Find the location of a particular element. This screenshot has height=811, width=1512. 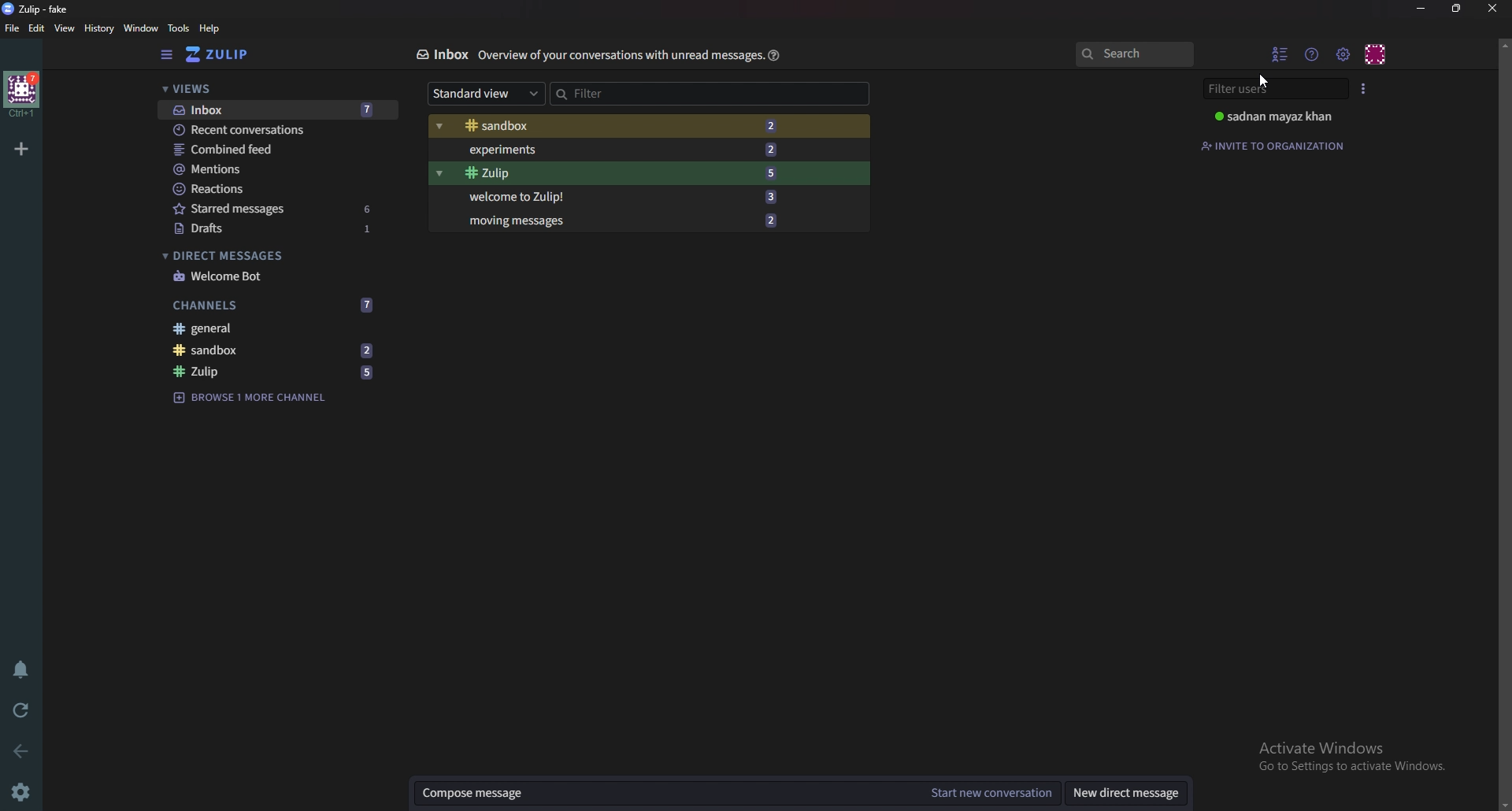

Back is located at coordinates (17, 752).